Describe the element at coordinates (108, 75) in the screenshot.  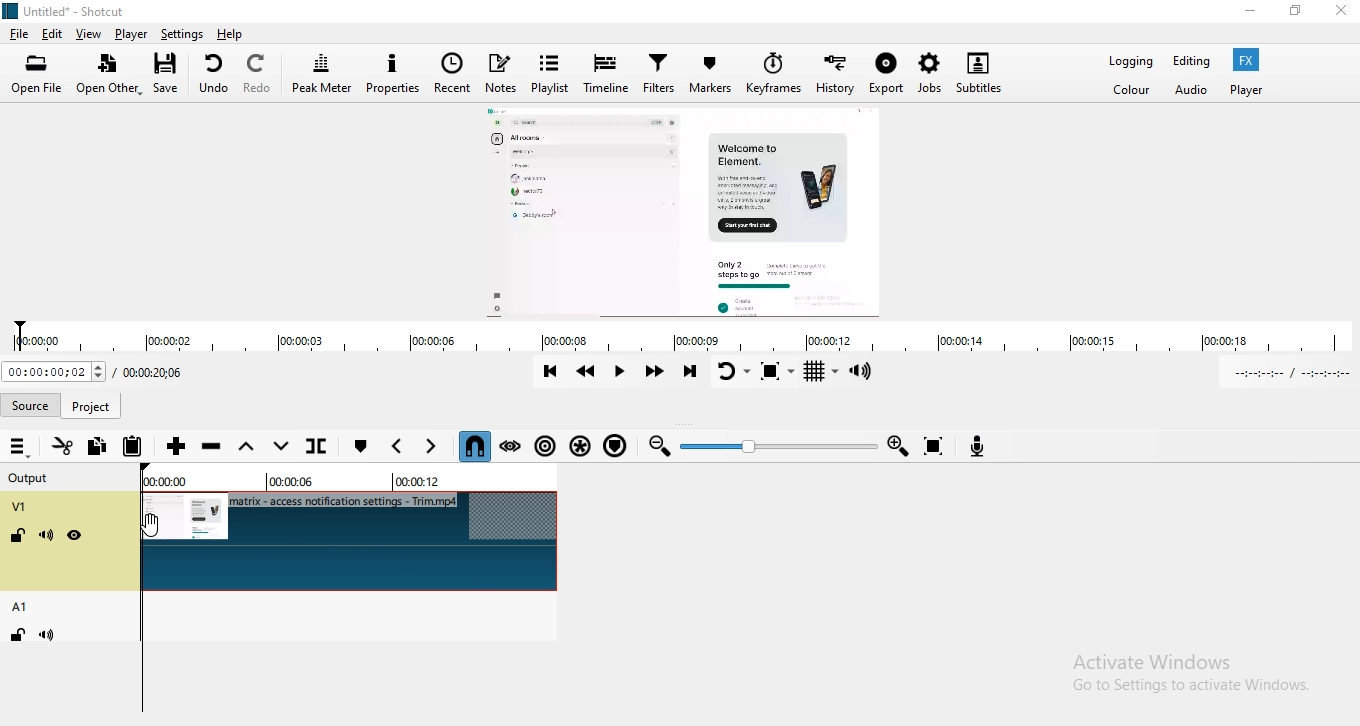
I see `Open other ` at that location.